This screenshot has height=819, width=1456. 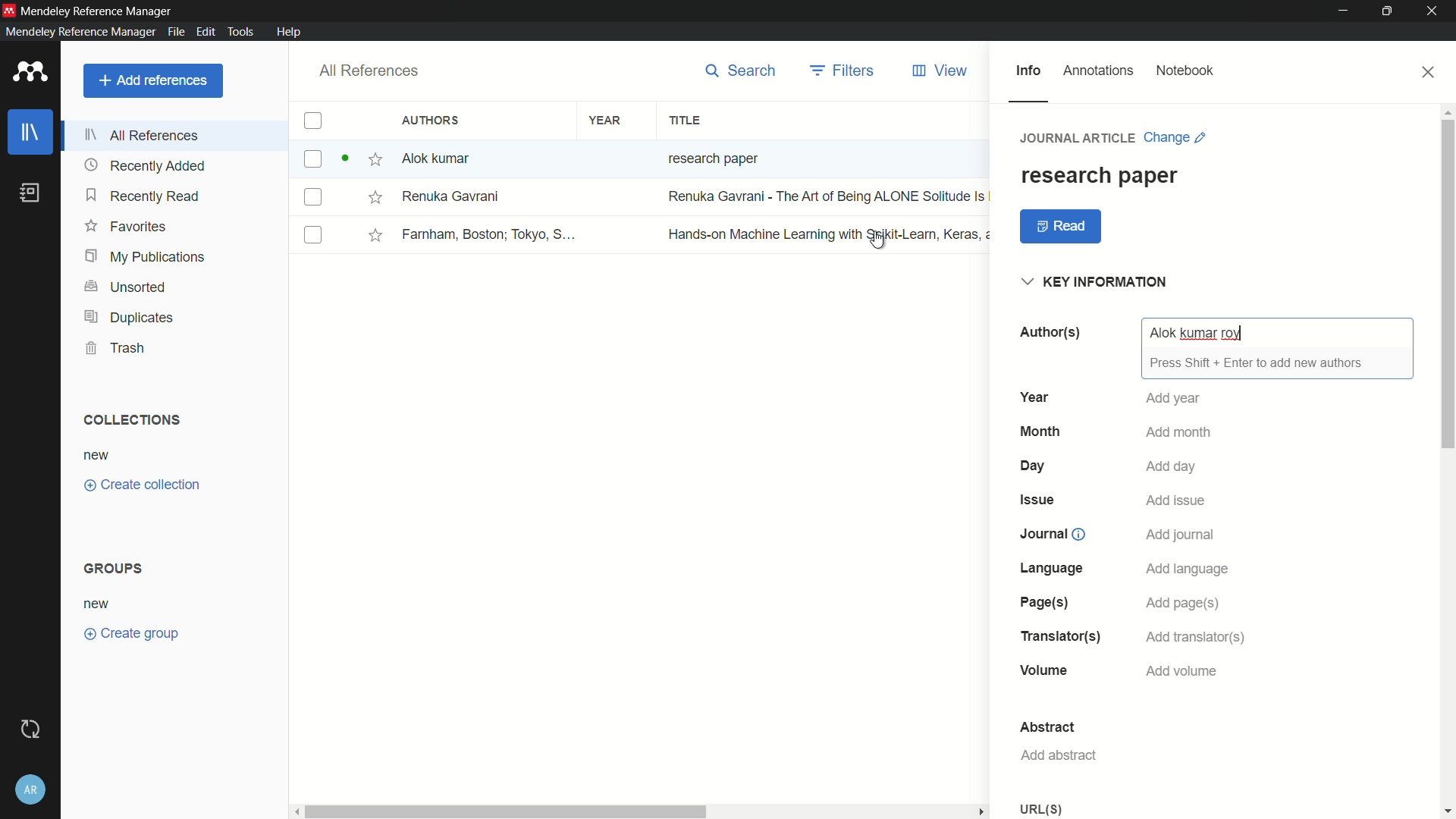 What do you see at coordinates (80, 31) in the screenshot?
I see `mendeley reference manager` at bounding box center [80, 31].